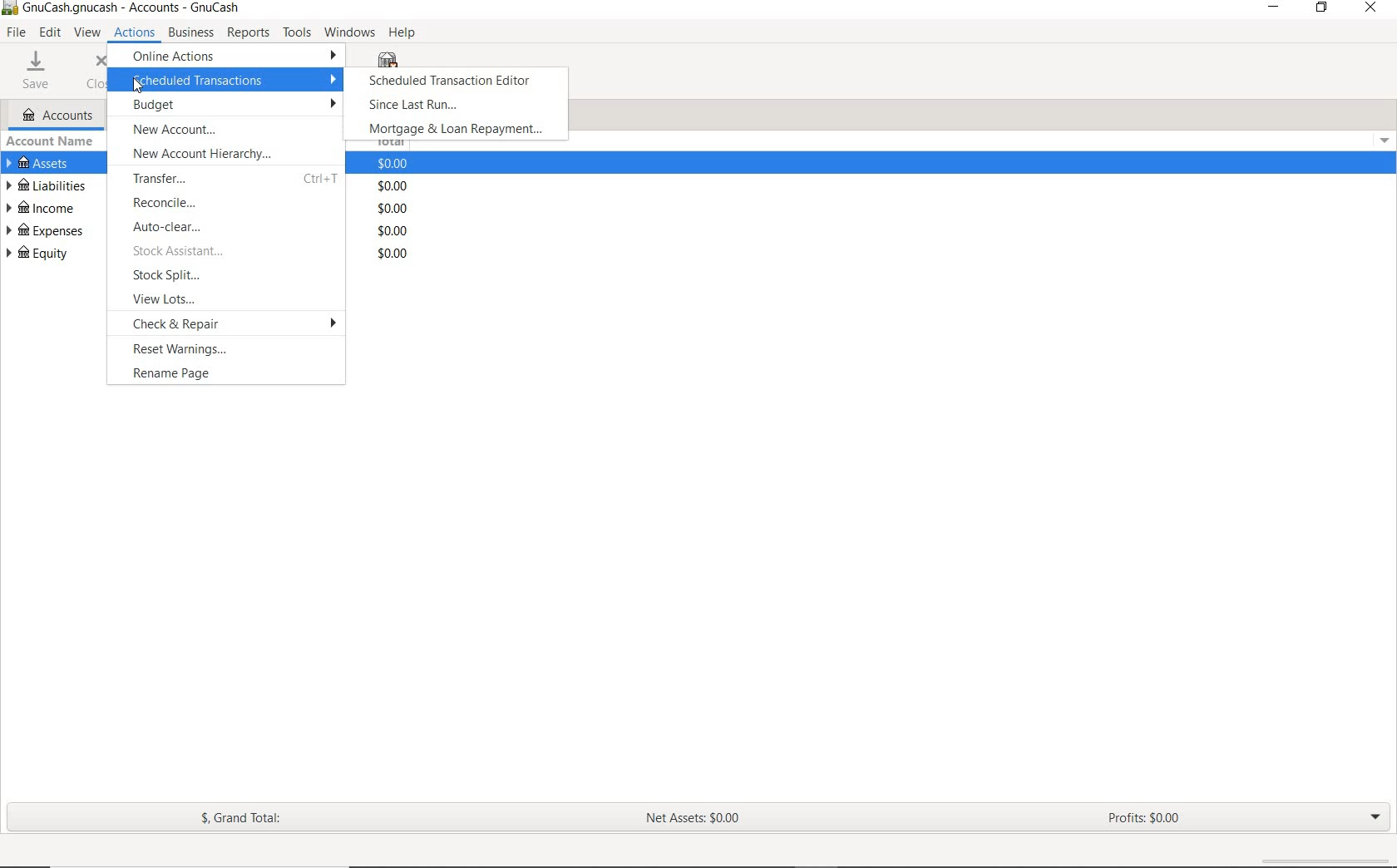  Describe the element at coordinates (16, 33) in the screenshot. I see `FILE` at that location.